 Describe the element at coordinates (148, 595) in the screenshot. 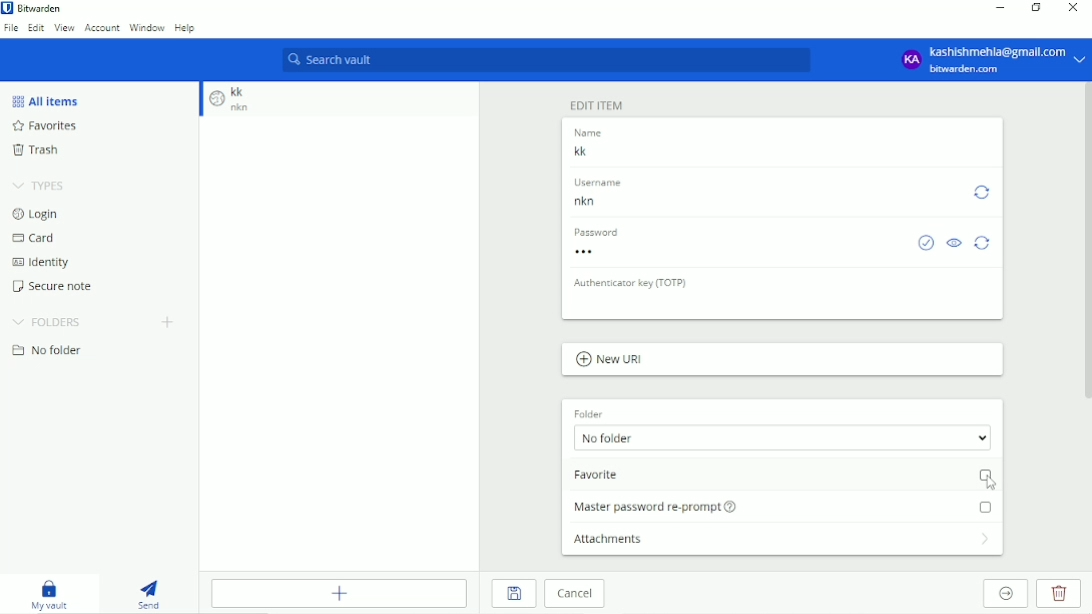

I see `Send` at that location.